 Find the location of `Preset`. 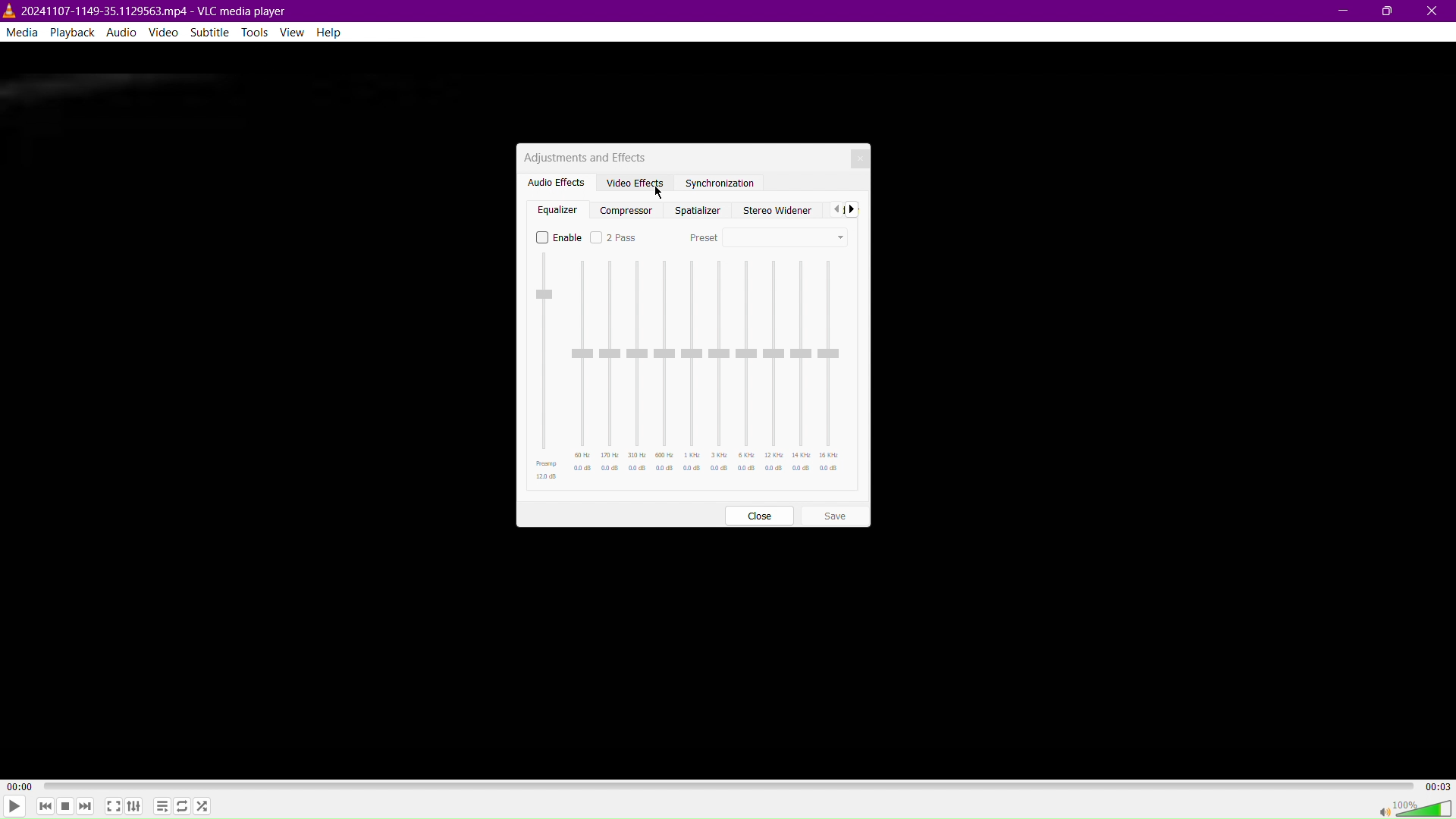

Preset is located at coordinates (769, 236).